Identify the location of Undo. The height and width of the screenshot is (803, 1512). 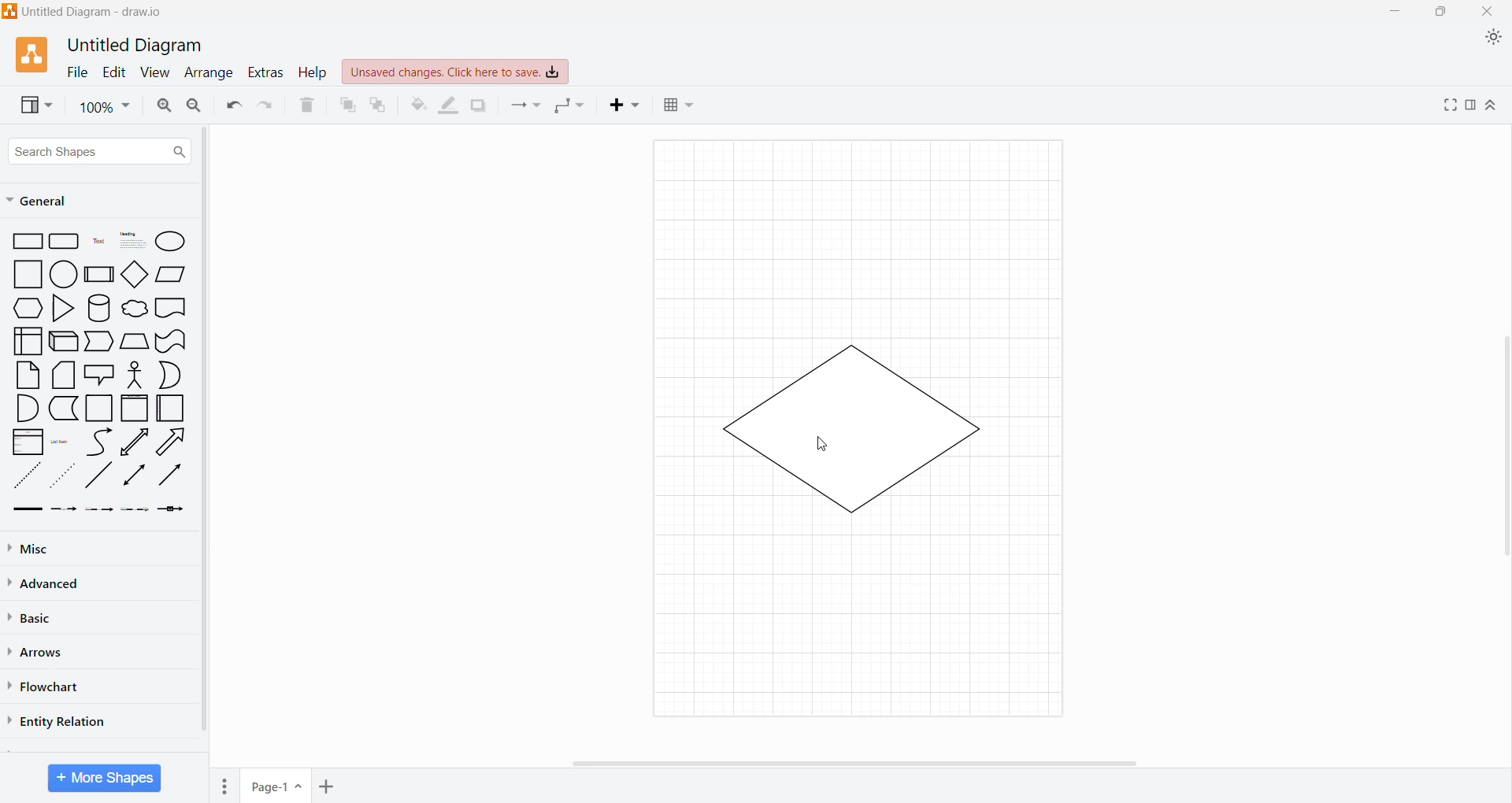
(232, 105).